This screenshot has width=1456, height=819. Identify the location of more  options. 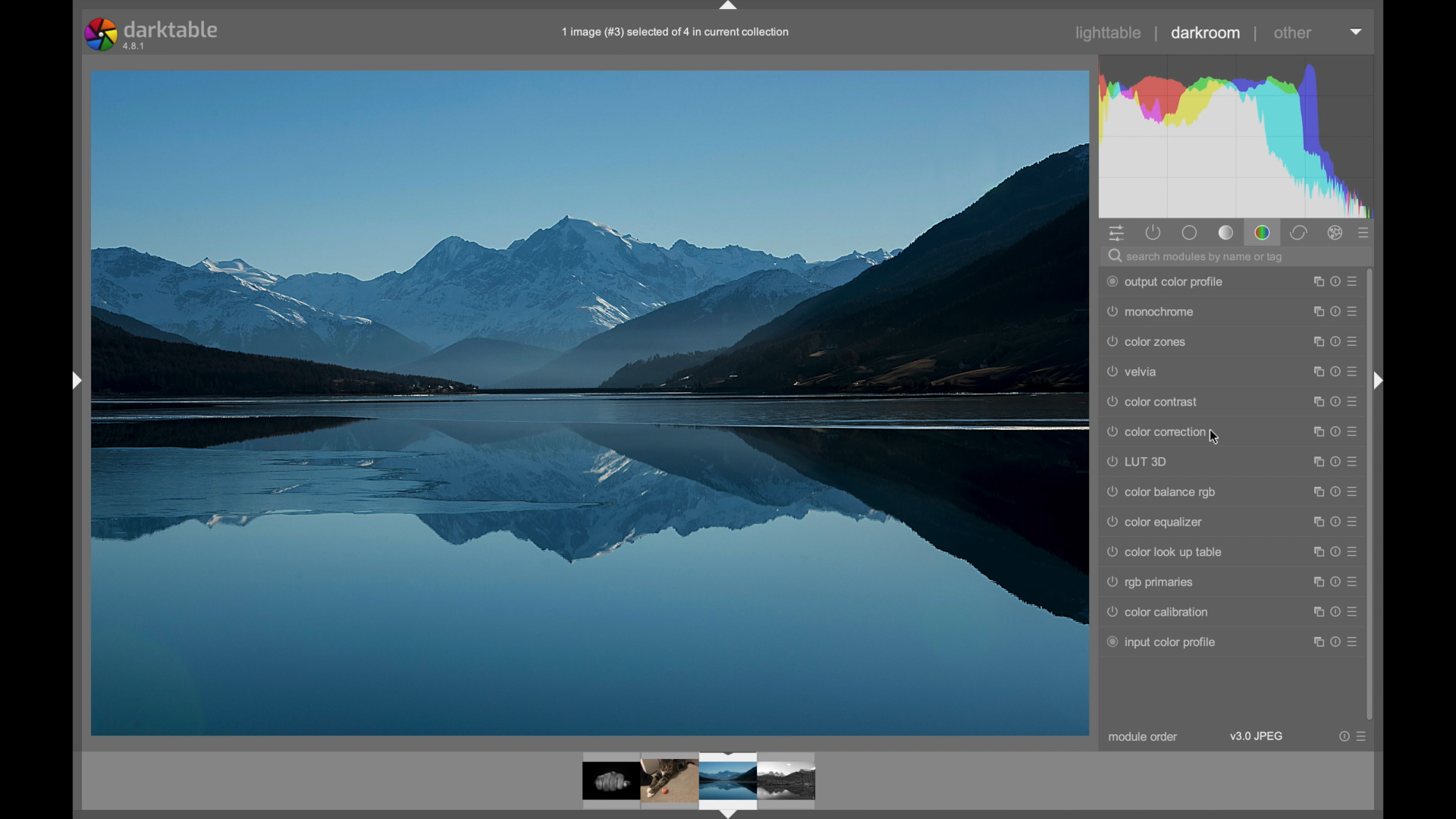
(1335, 491).